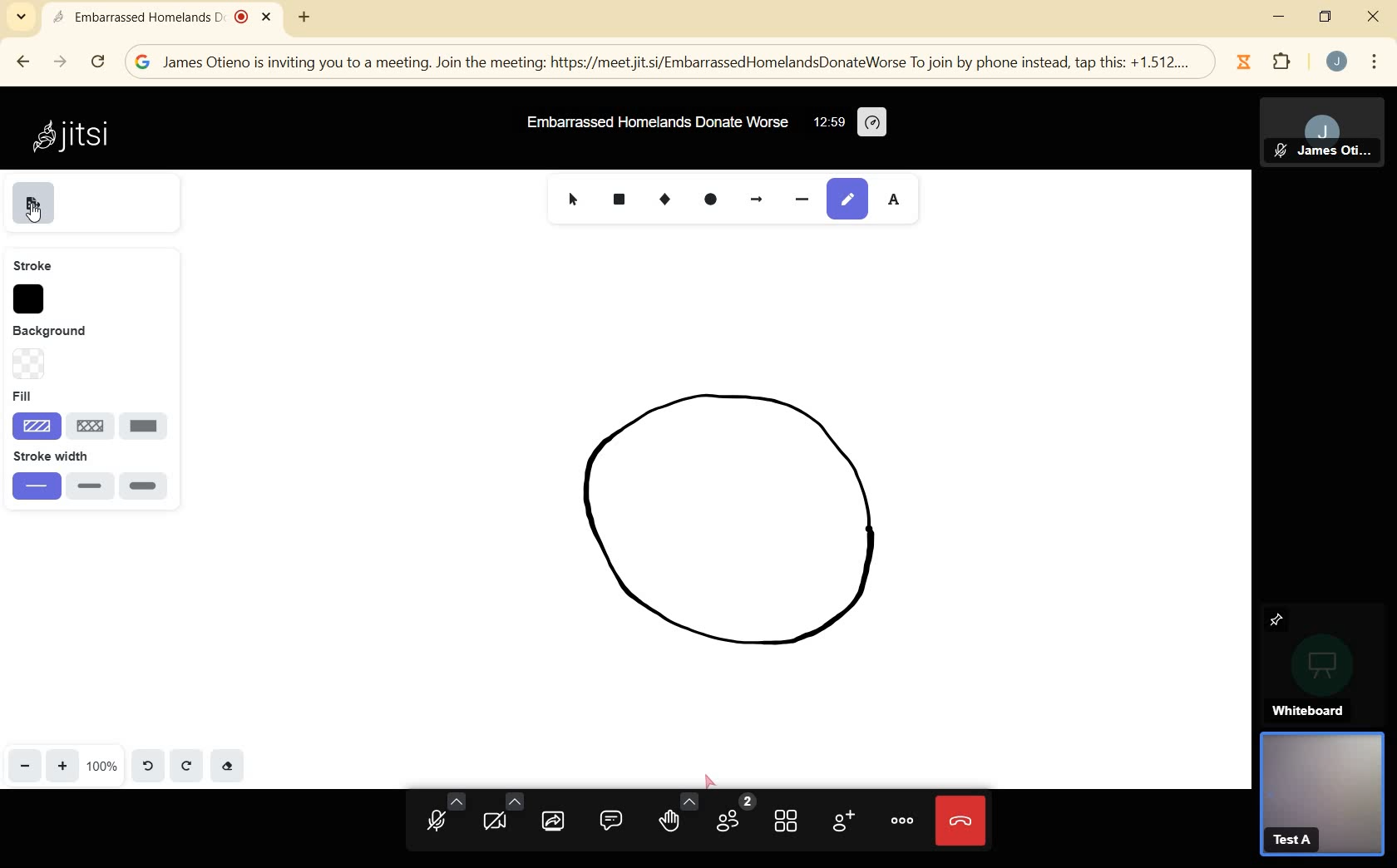  I want to click on restore down, so click(1325, 19).